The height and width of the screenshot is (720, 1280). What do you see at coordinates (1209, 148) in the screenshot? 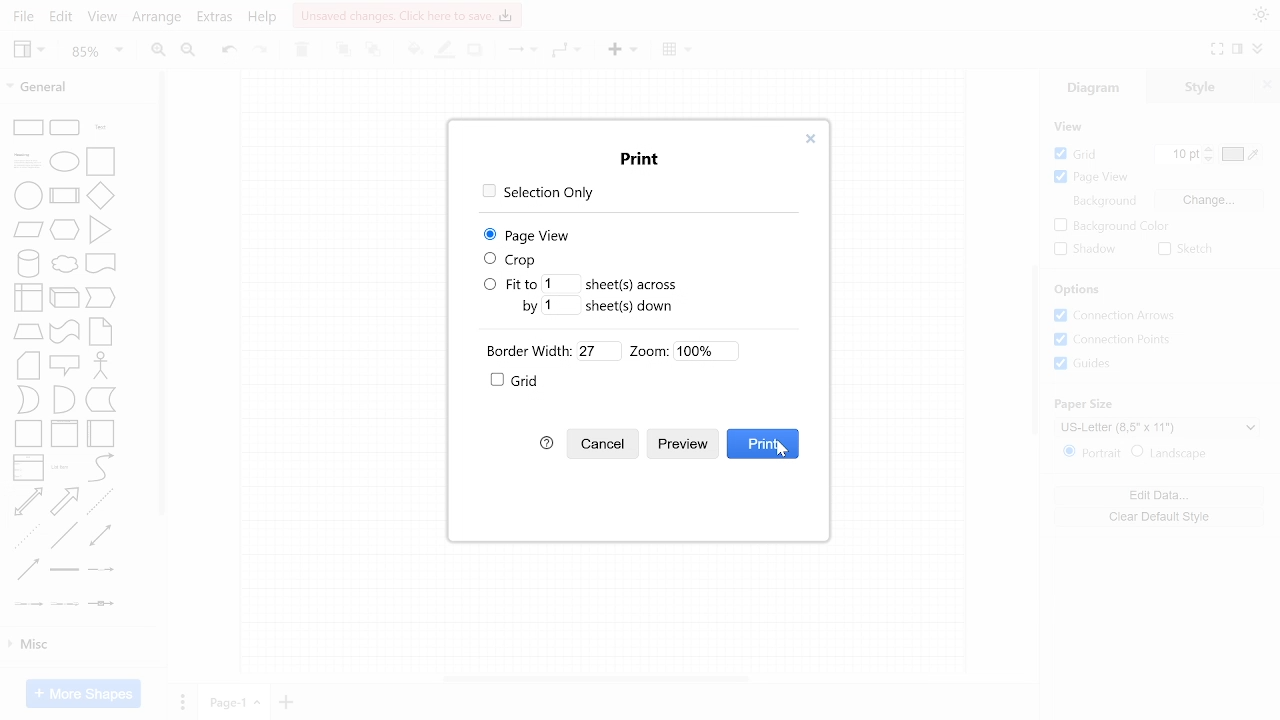
I see `Increase grid pt` at bounding box center [1209, 148].